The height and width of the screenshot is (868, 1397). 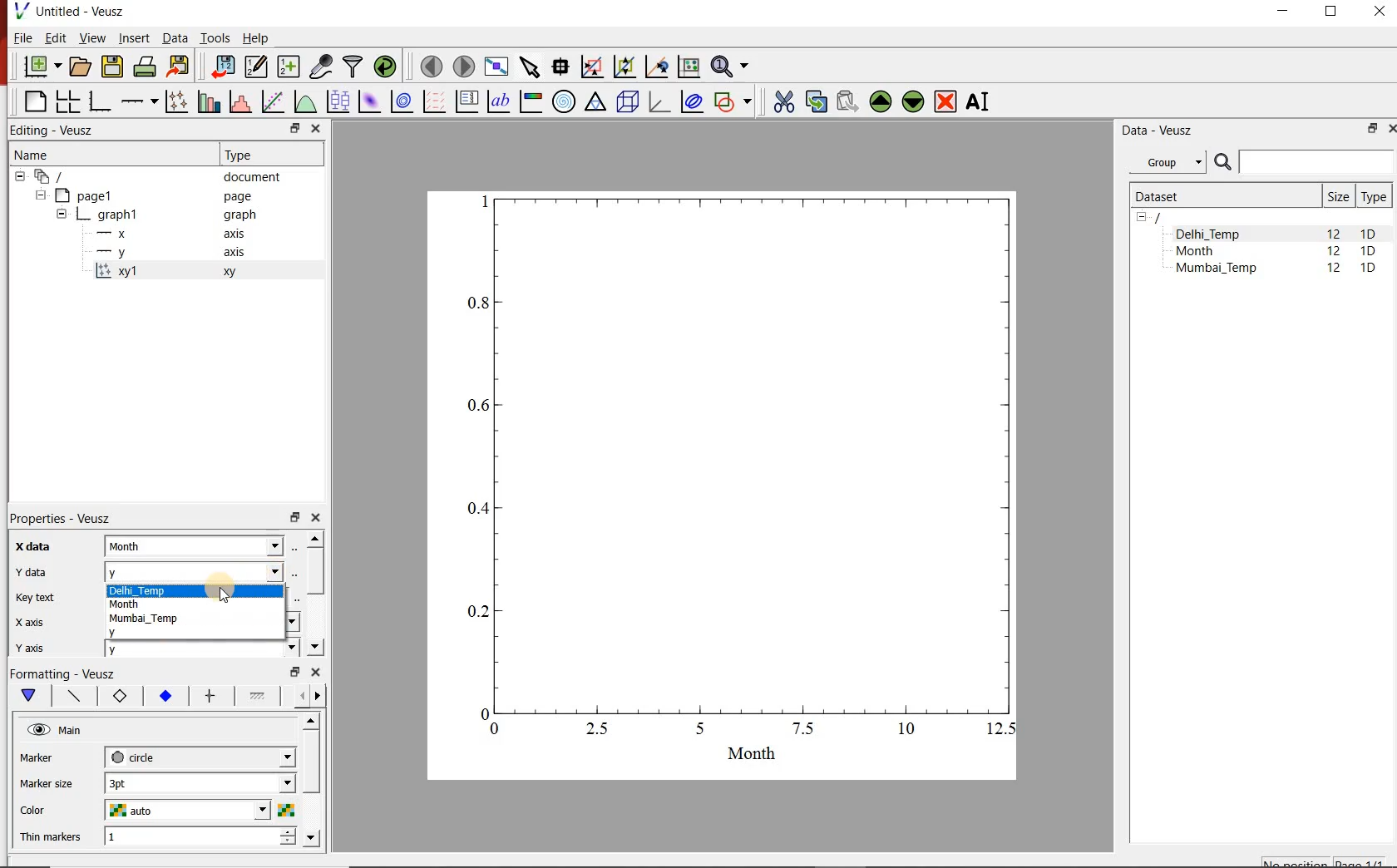 I want to click on plot a 2d dataset as contours, so click(x=402, y=102).